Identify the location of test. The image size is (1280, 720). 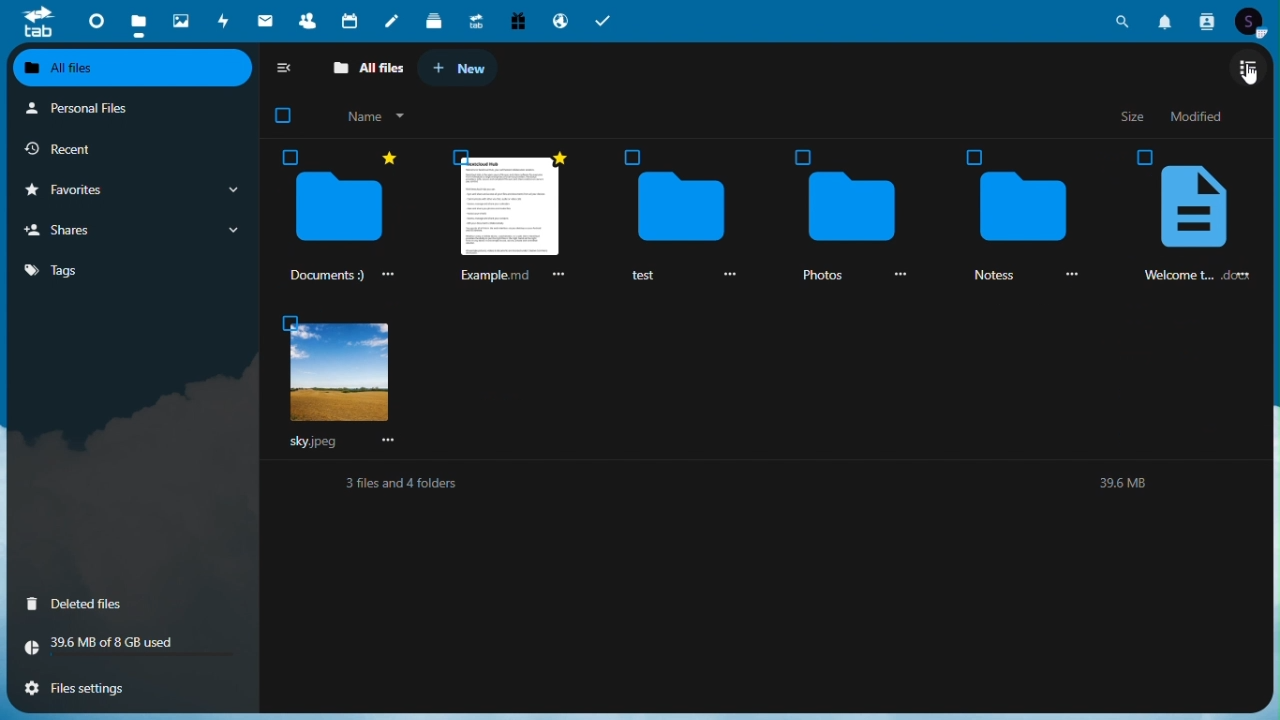
(647, 278).